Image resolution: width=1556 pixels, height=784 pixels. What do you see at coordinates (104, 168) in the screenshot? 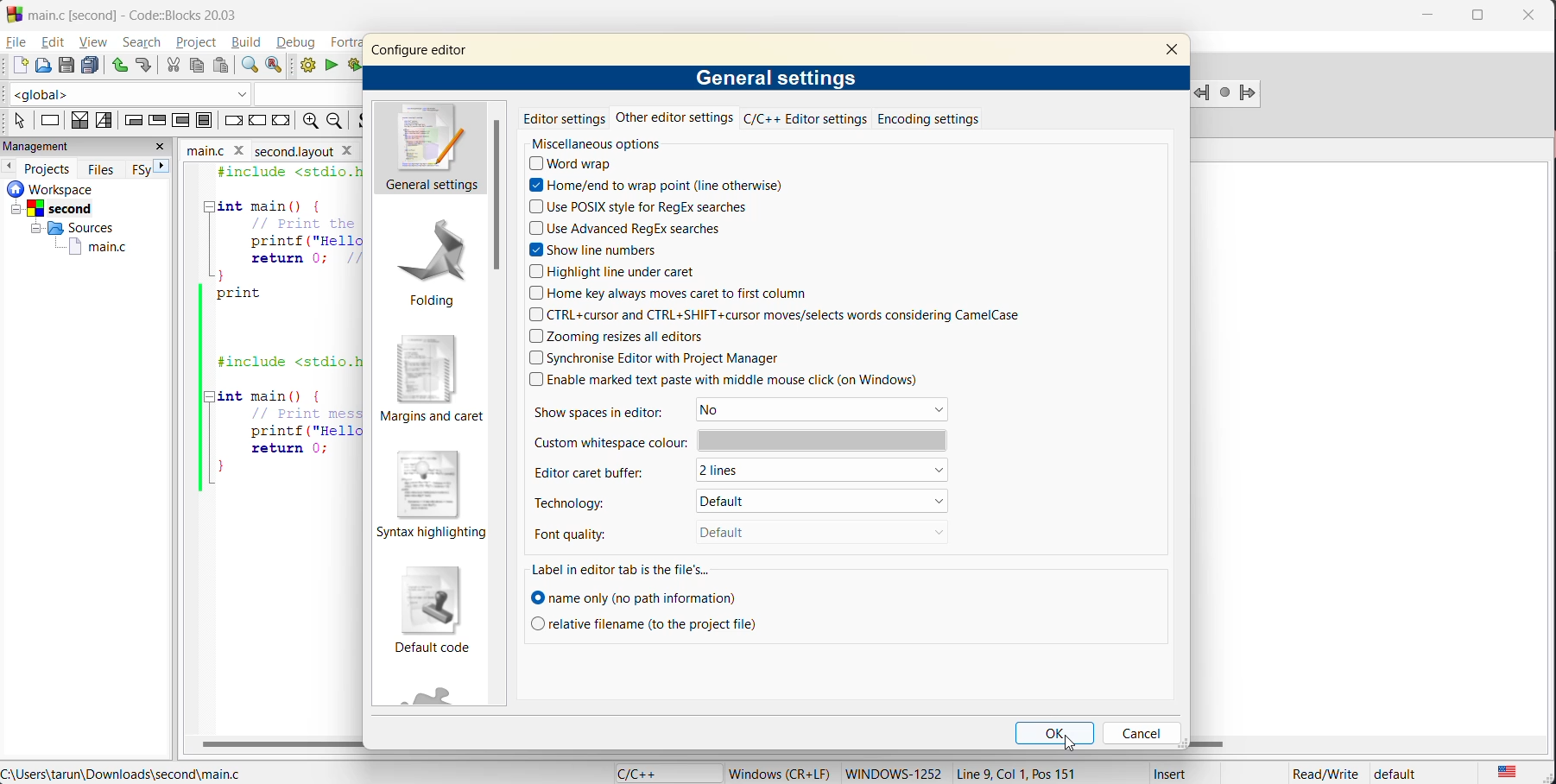
I see `files` at bounding box center [104, 168].